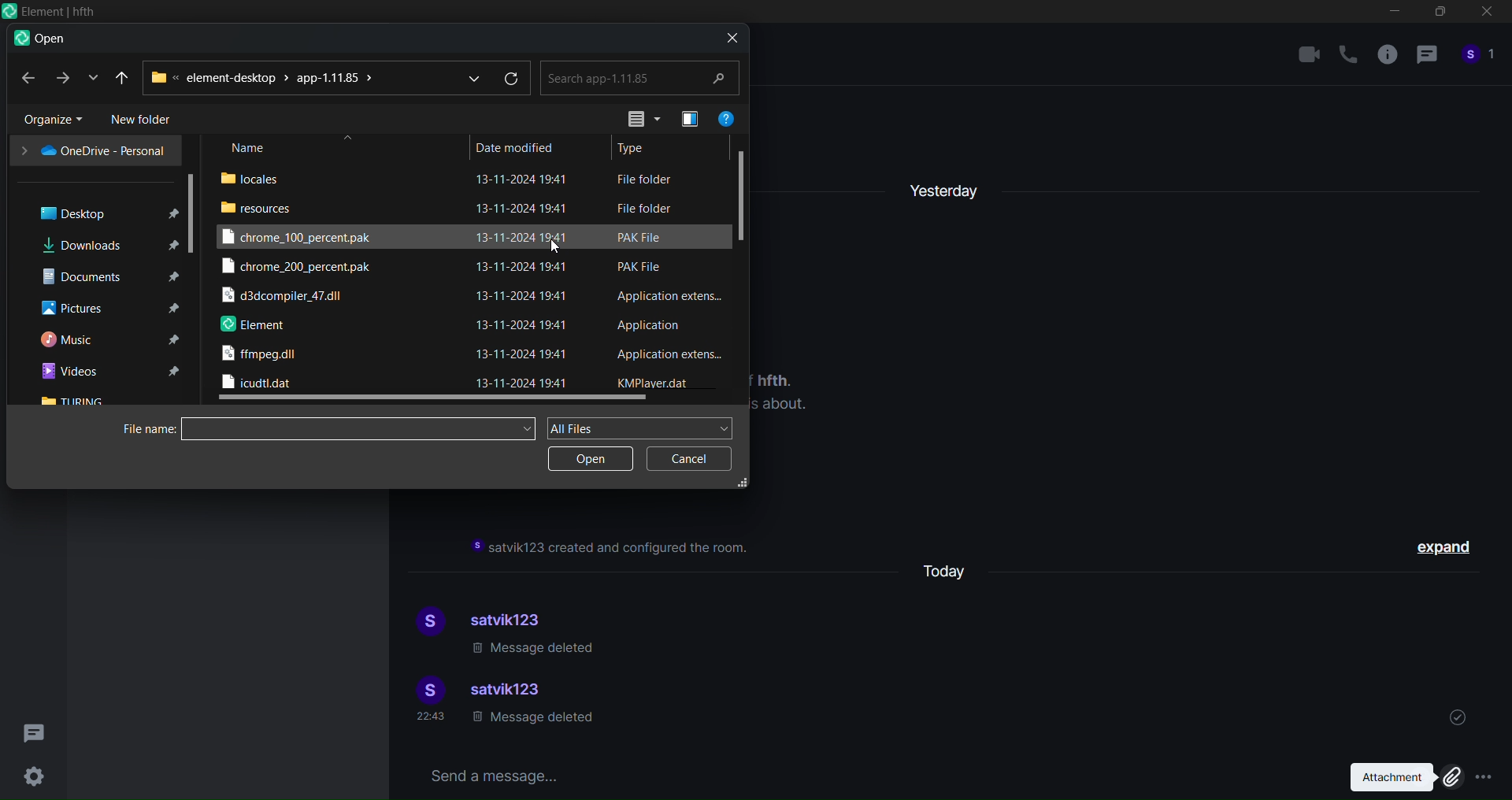  I want to click on date modified, so click(516, 146).